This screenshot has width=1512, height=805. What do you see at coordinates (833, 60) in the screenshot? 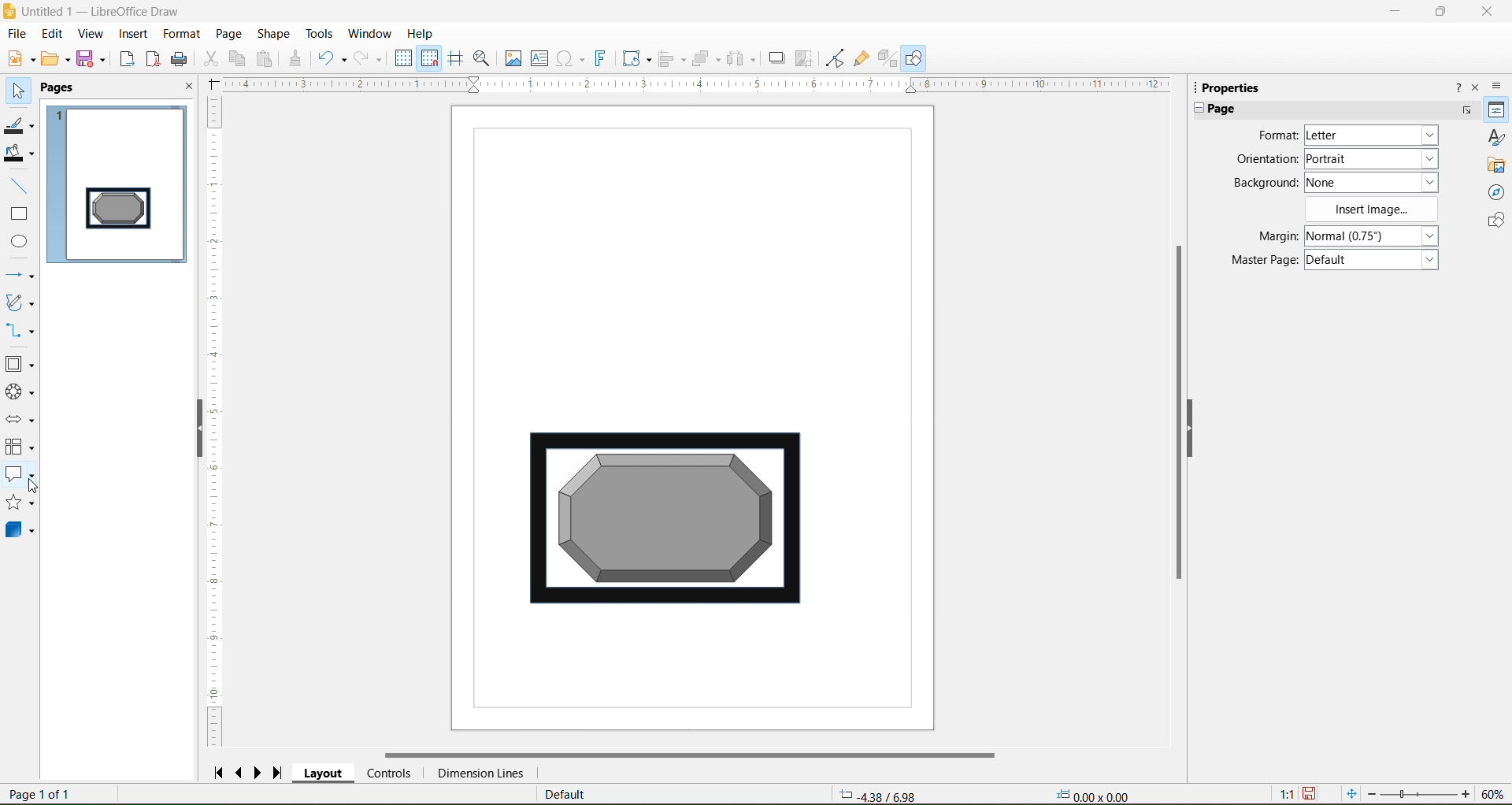
I see `Toggle Point Edit Mode` at bounding box center [833, 60].